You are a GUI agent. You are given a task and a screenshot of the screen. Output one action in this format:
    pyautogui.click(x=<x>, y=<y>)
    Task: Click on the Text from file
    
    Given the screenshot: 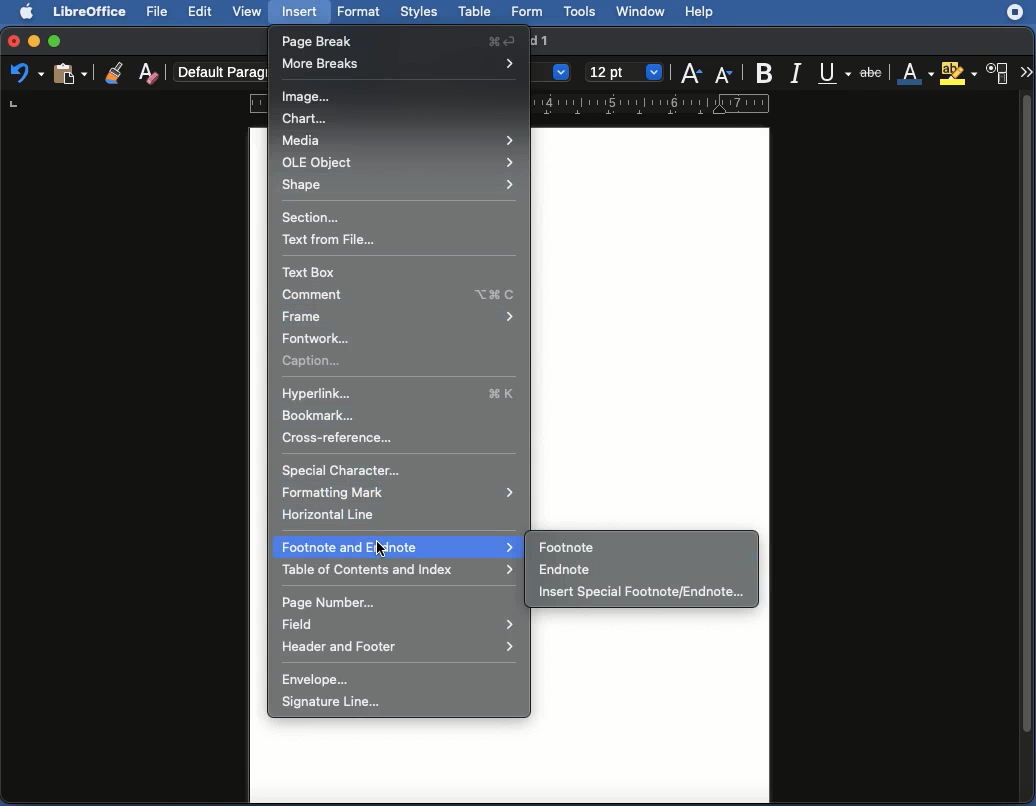 What is the action you would take?
    pyautogui.click(x=330, y=239)
    